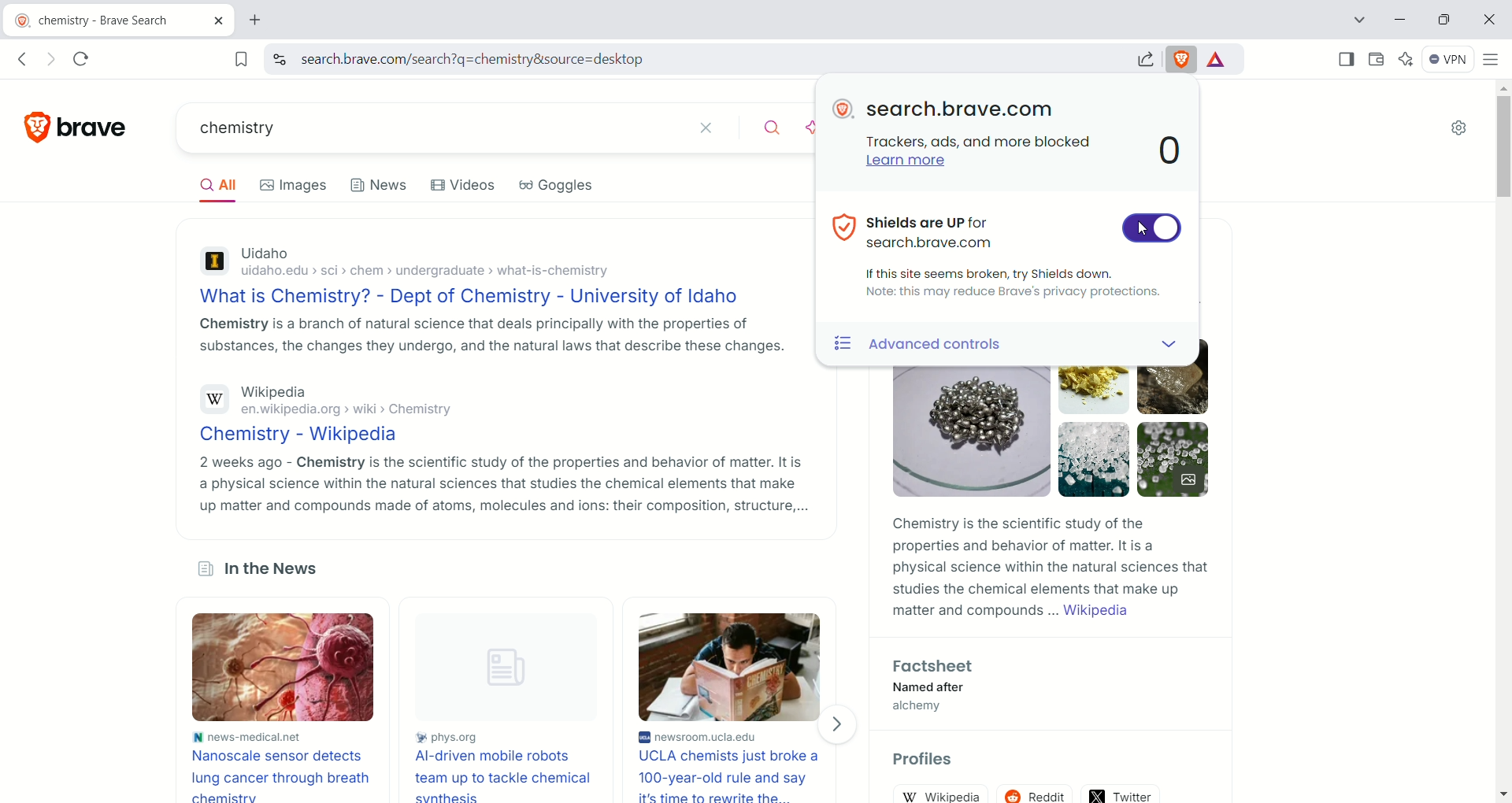 The width and height of the screenshot is (1512, 803). Describe the element at coordinates (1400, 18) in the screenshot. I see `minimize` at that location.